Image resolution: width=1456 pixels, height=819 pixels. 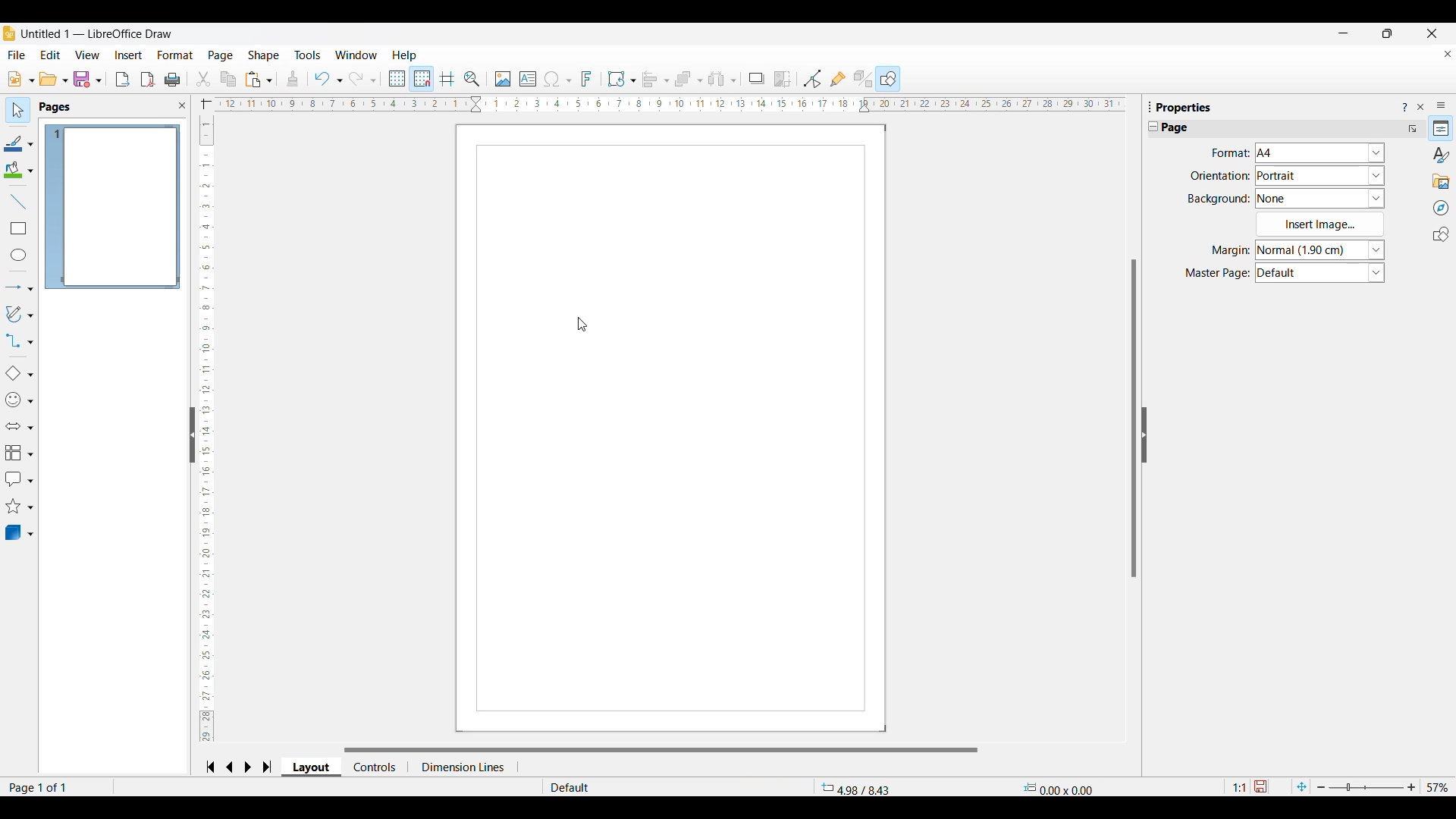 I want to click on Curves and polygon options, so click(x=20, y=314).